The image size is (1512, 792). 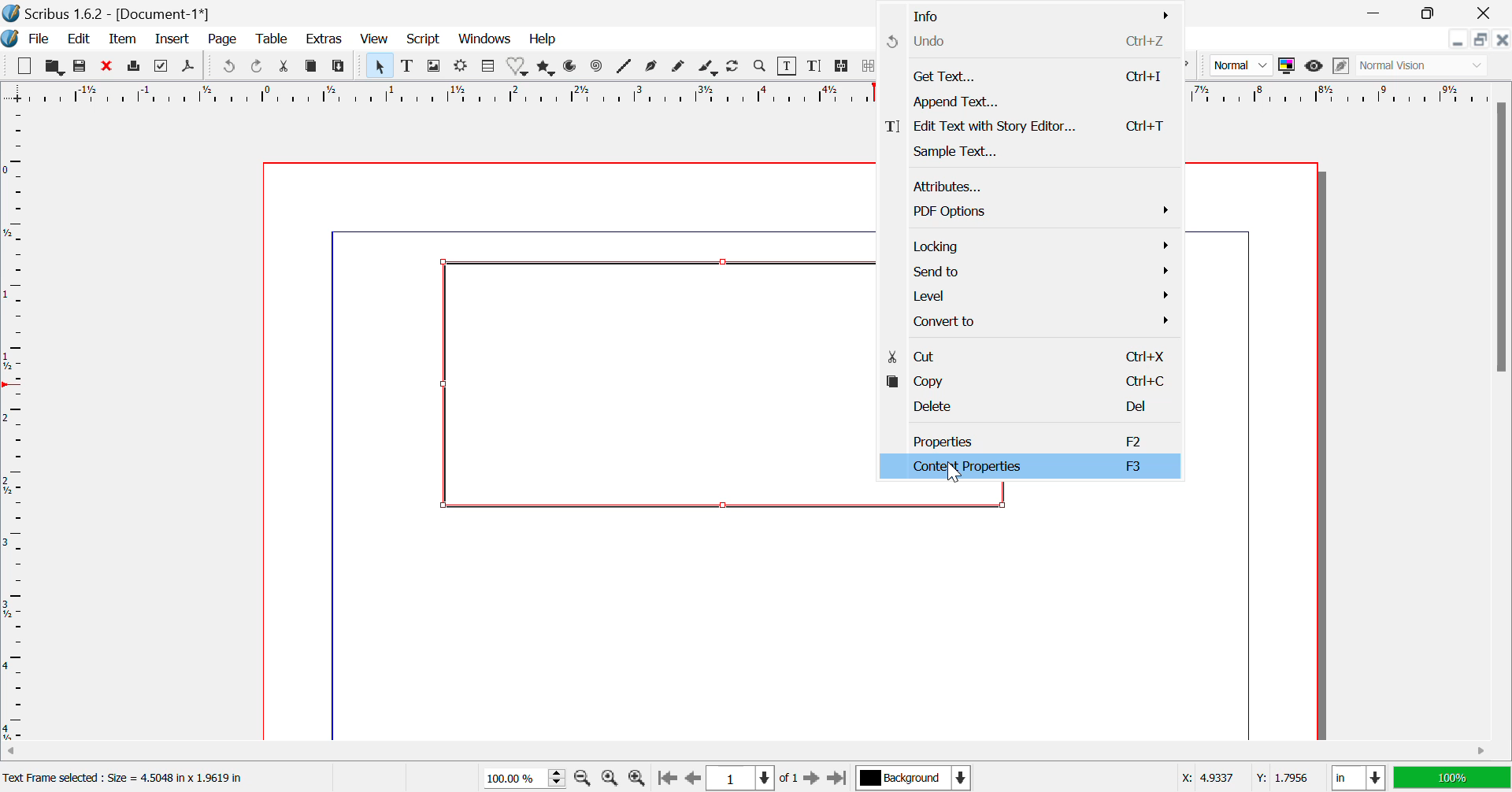 I want to click on Copy, so click(x=1033, y=380).